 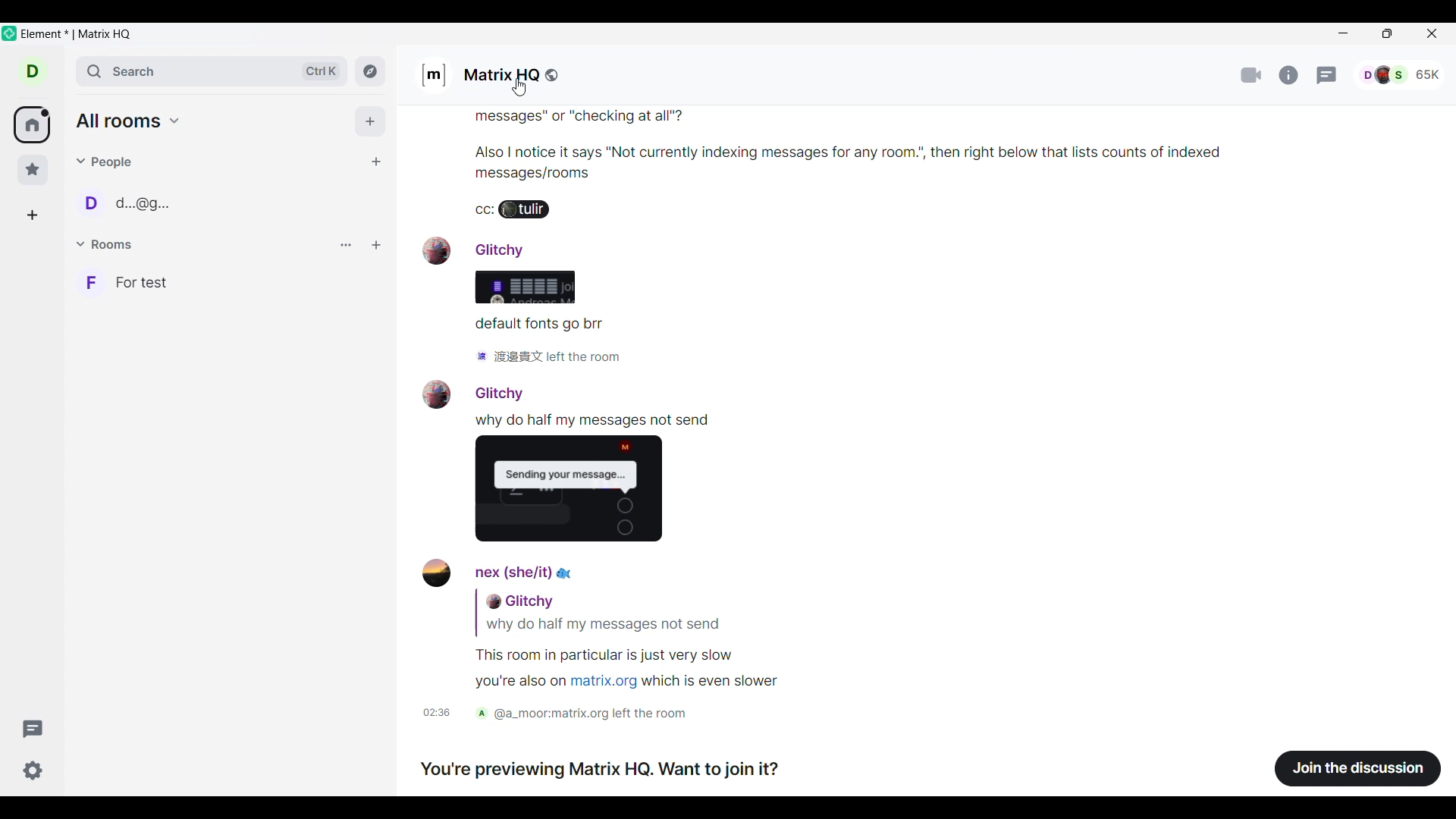 I want to click on Glitchy, why do half my messages not send, this room in particular is just very slow you're also on matrix.org which is even slower, so click(x=610, y=642).